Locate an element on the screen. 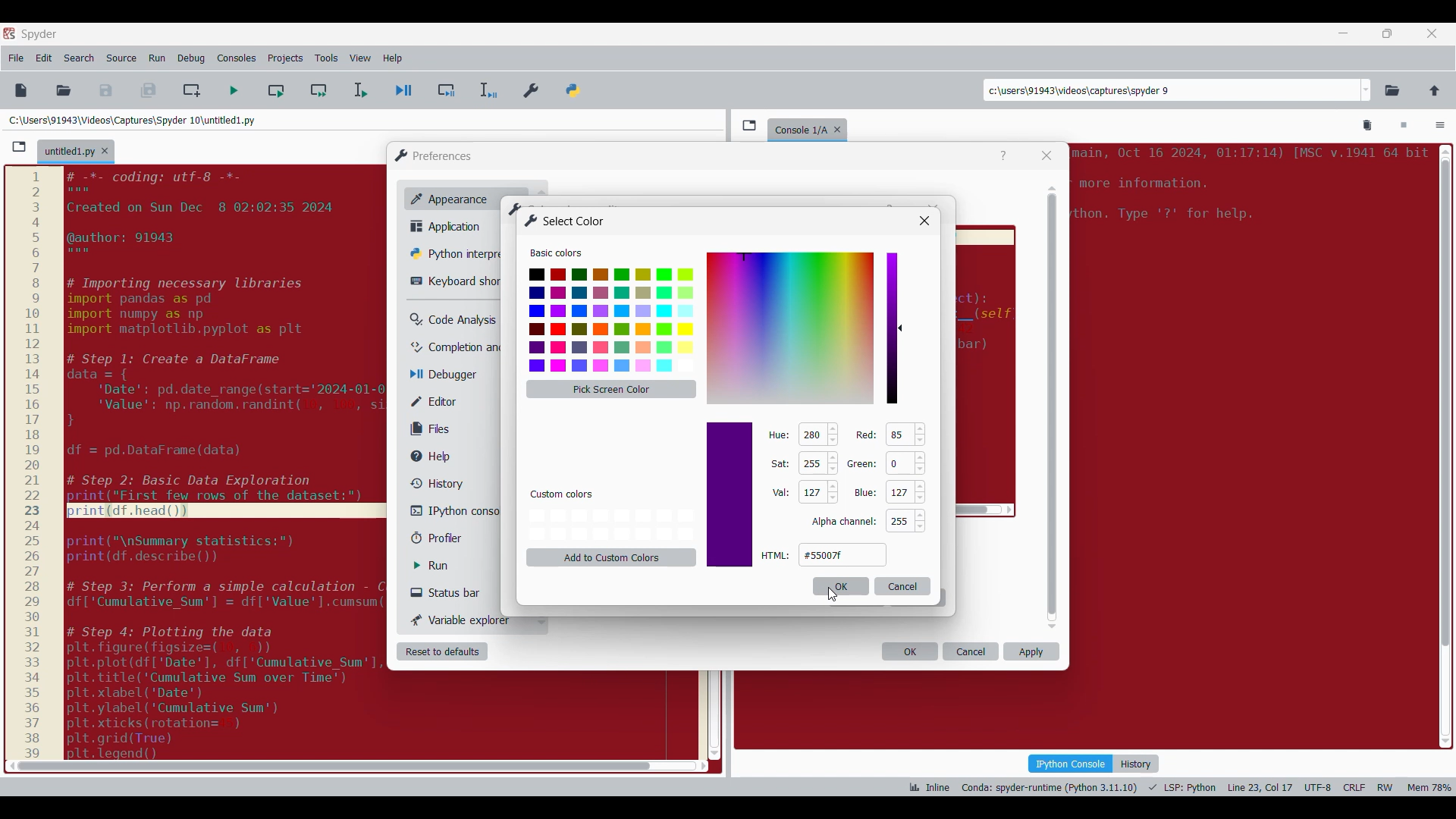 The height and width of the screenshot is (819, 1456). console is located at coordinates (798, 128).